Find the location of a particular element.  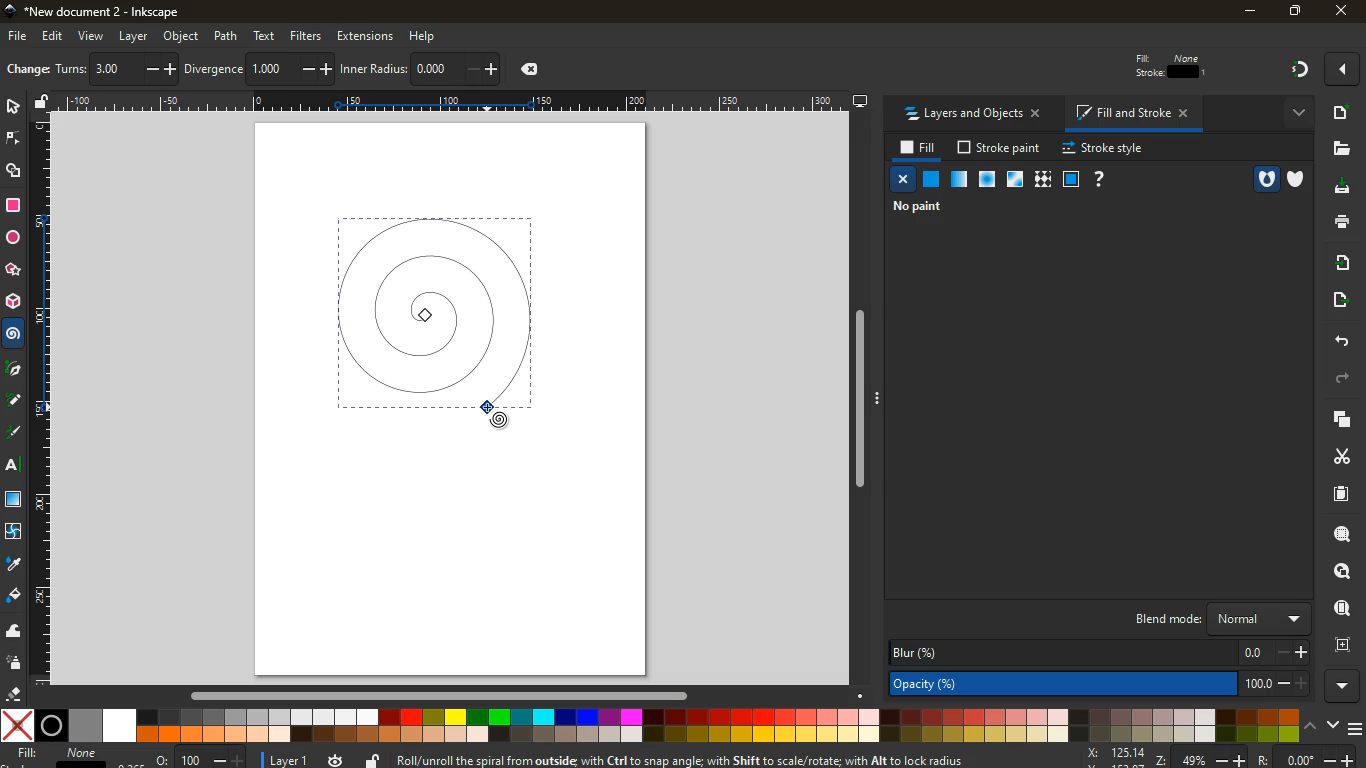

layer is located at coordinates (286, 758).